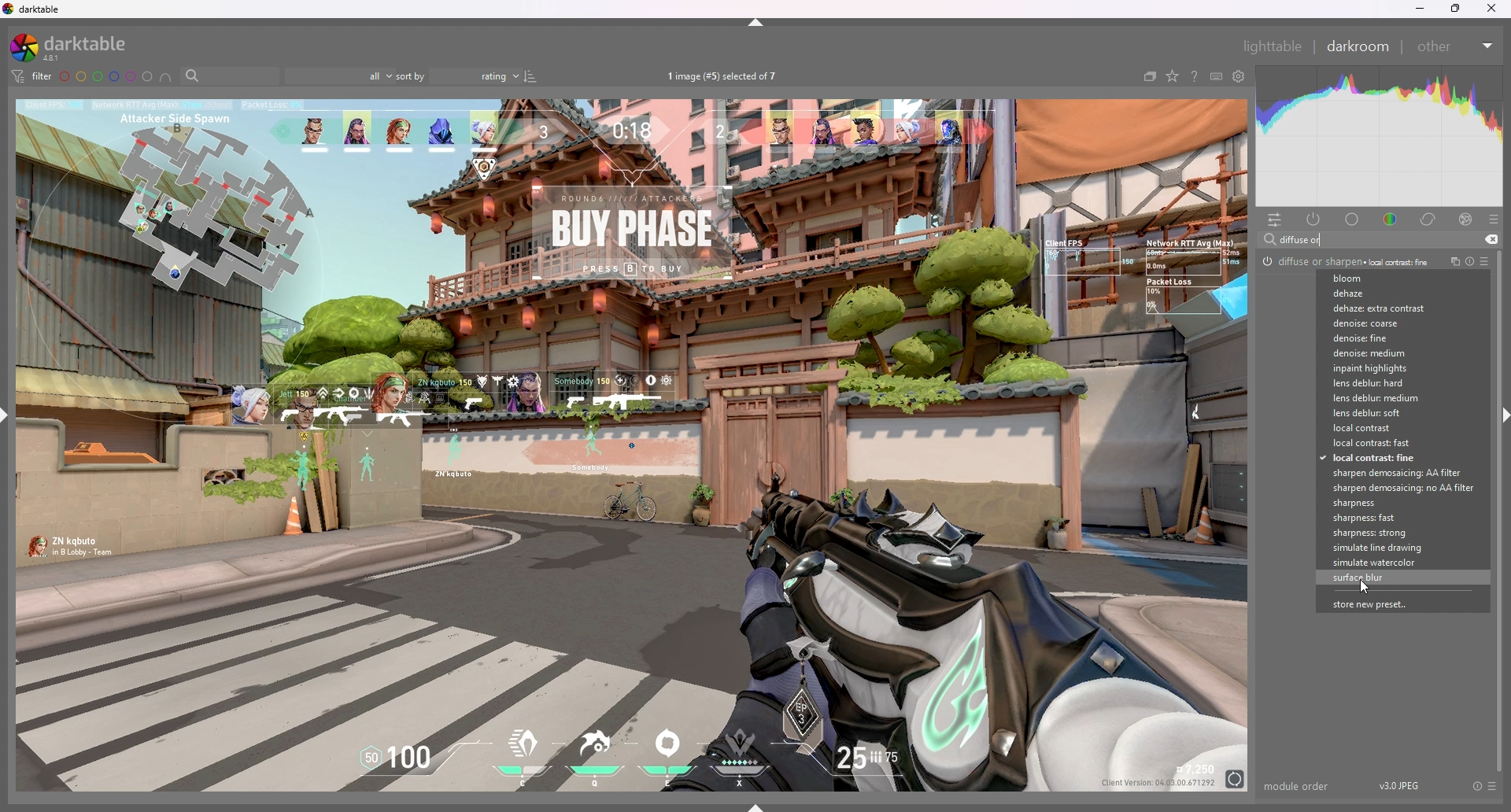 The height and width of the screenshot is (812, 1511). I want to click on quick access panel, so click(1276, 219).